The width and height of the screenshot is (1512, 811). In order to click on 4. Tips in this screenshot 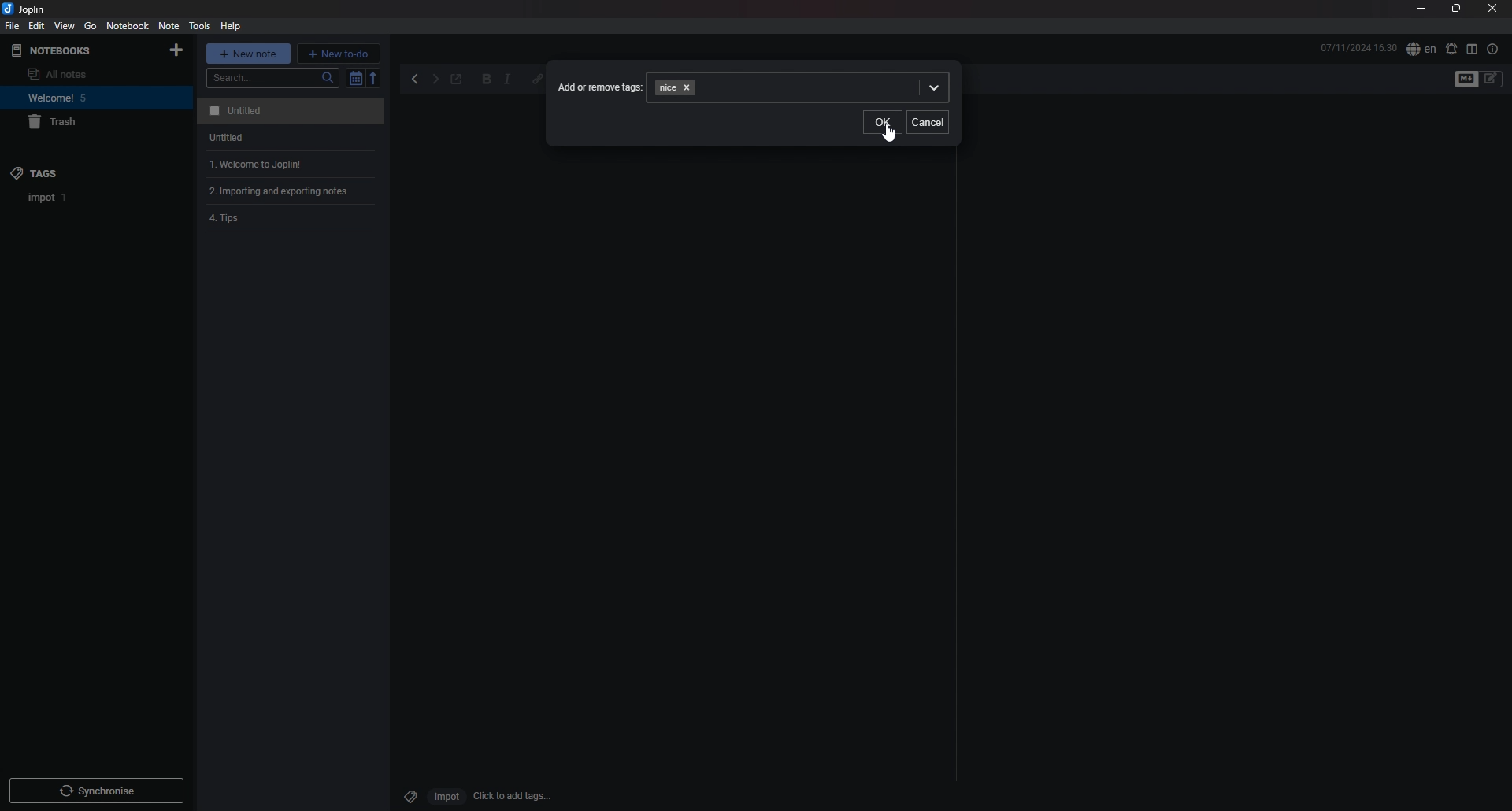, I will do `click(232, 220)`.